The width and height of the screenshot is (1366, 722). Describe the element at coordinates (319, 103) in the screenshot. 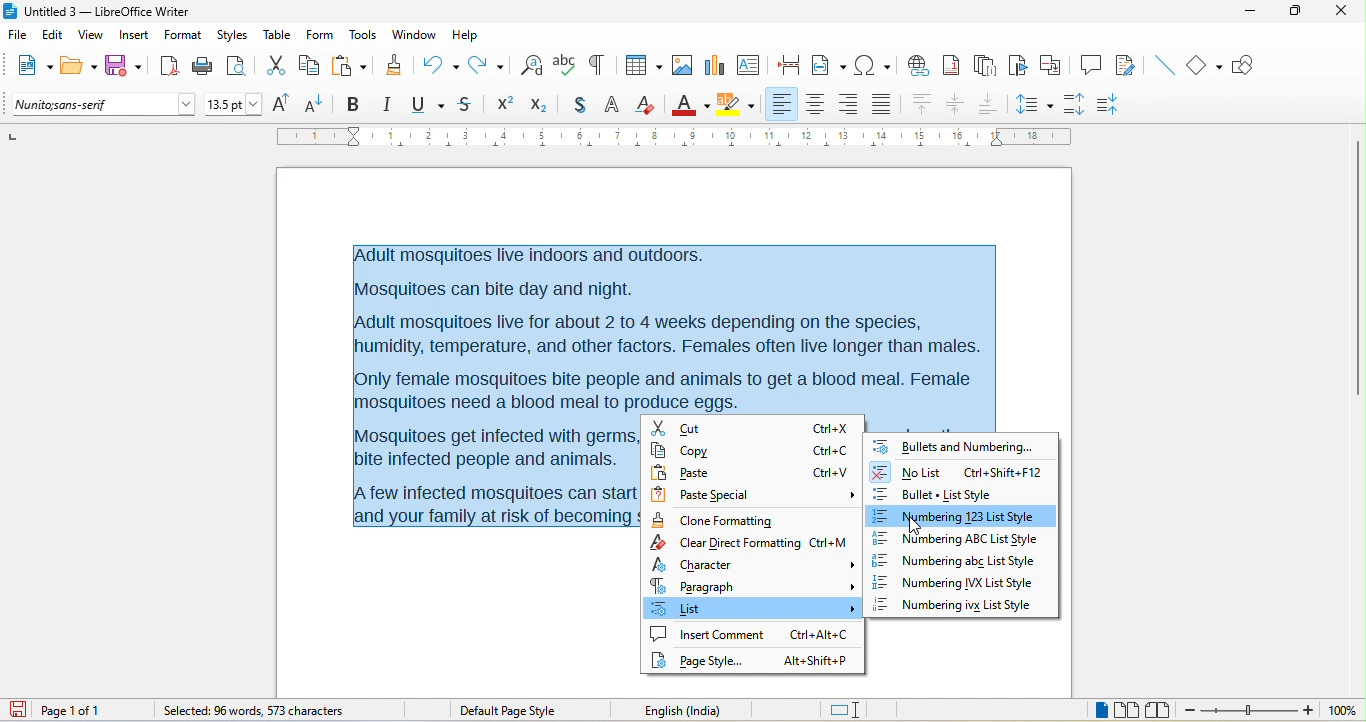

I see `decrease size` at that location.